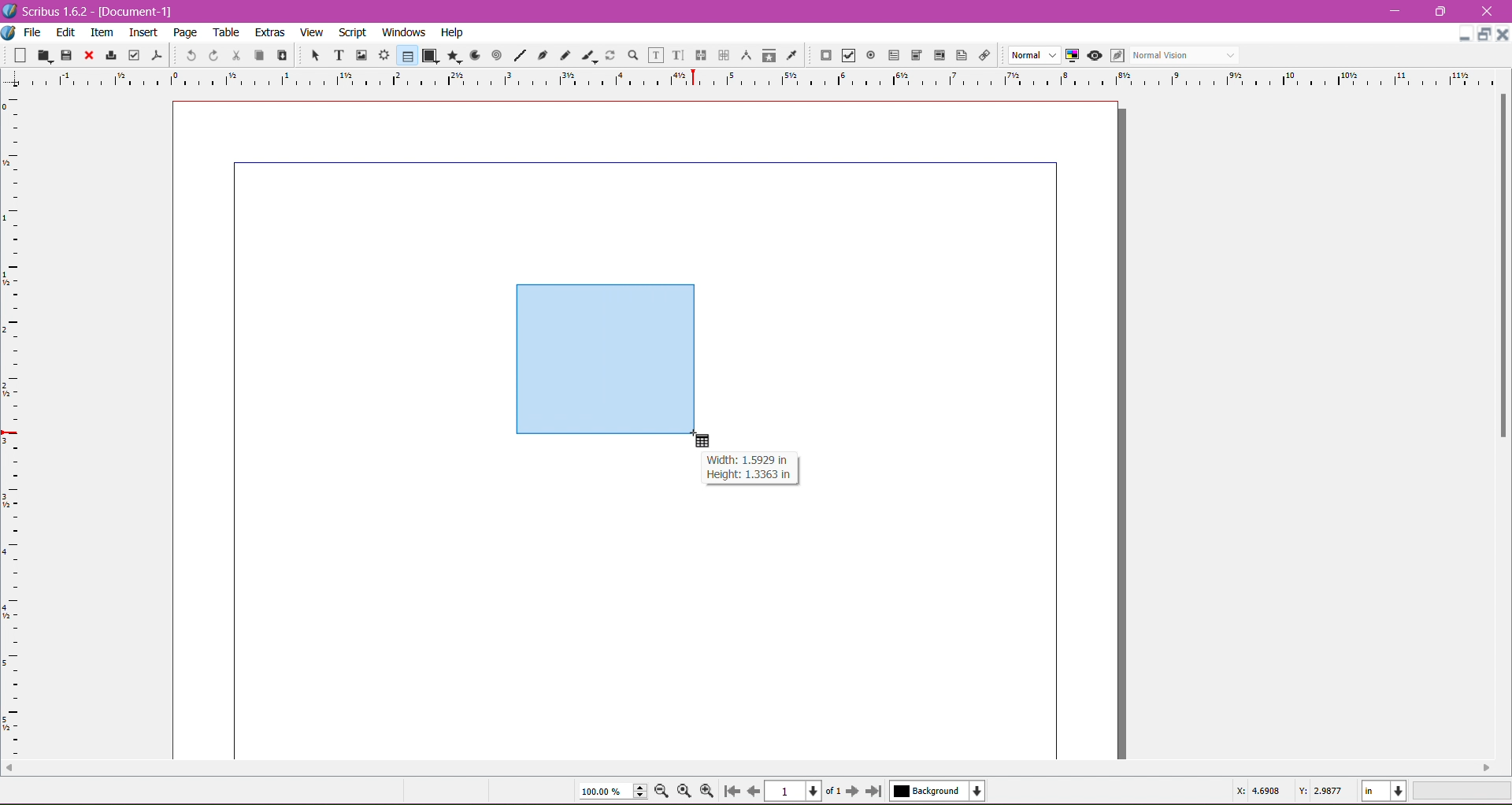 The height and width of the screenshot is (805, 1512). What do you see at coordinates (309, 54) in the screenshot?
I see `Select Item` at bounding box center [309, 54].